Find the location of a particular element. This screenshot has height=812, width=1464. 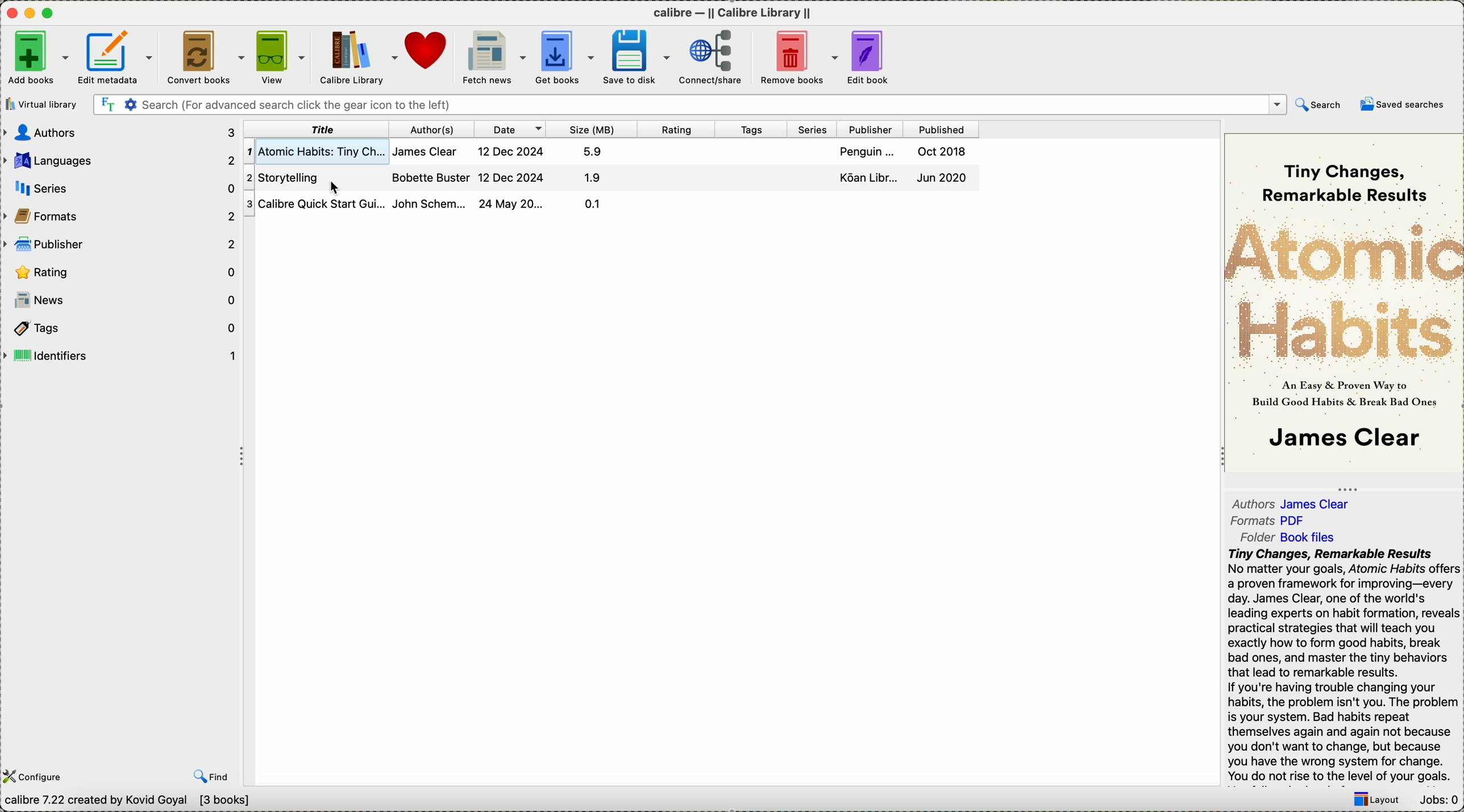

folder is located at coordinates (1293, 537).